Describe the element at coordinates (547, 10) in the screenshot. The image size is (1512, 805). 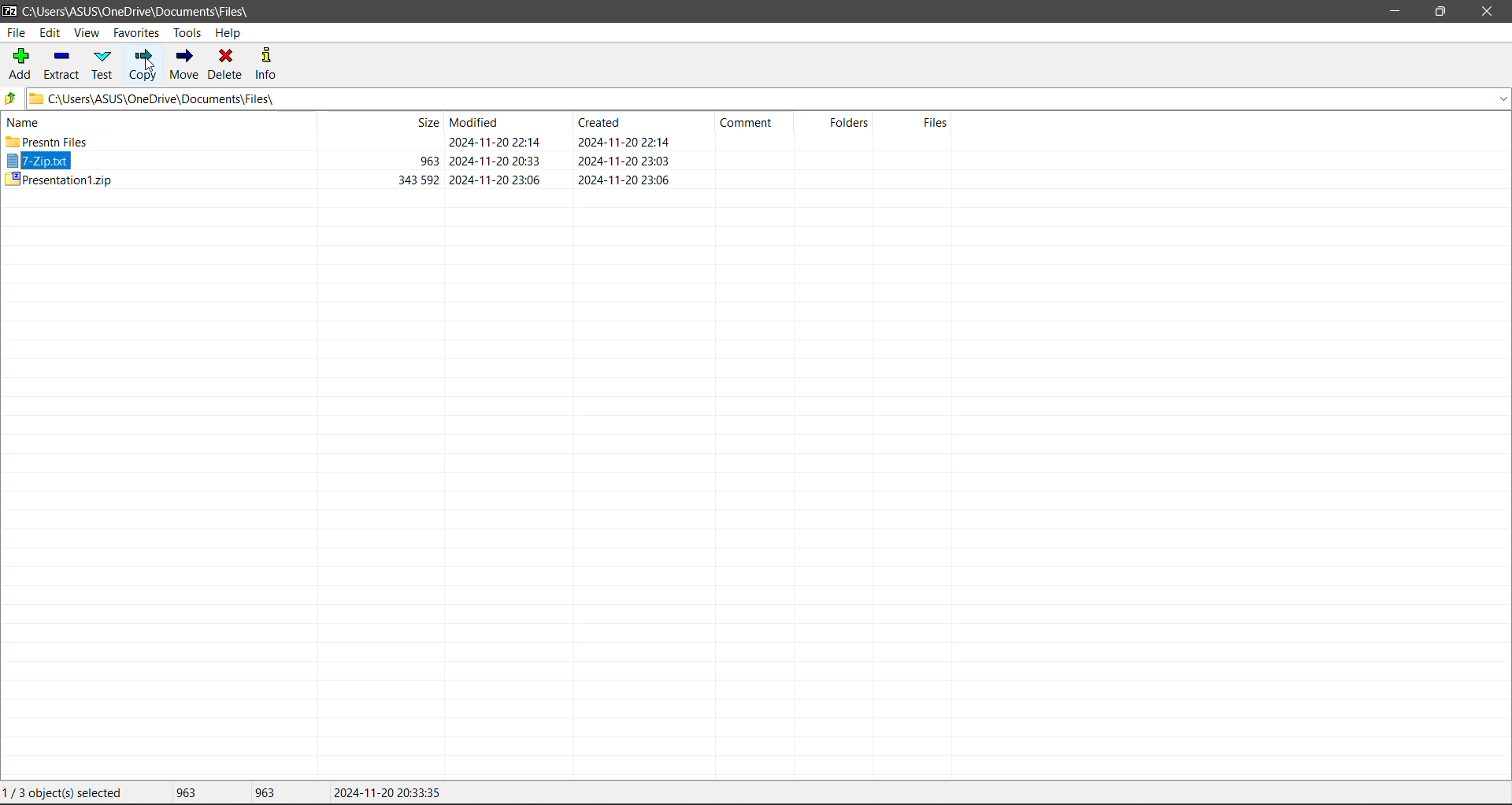
I see `Title Bar color changed on Click` at that location.